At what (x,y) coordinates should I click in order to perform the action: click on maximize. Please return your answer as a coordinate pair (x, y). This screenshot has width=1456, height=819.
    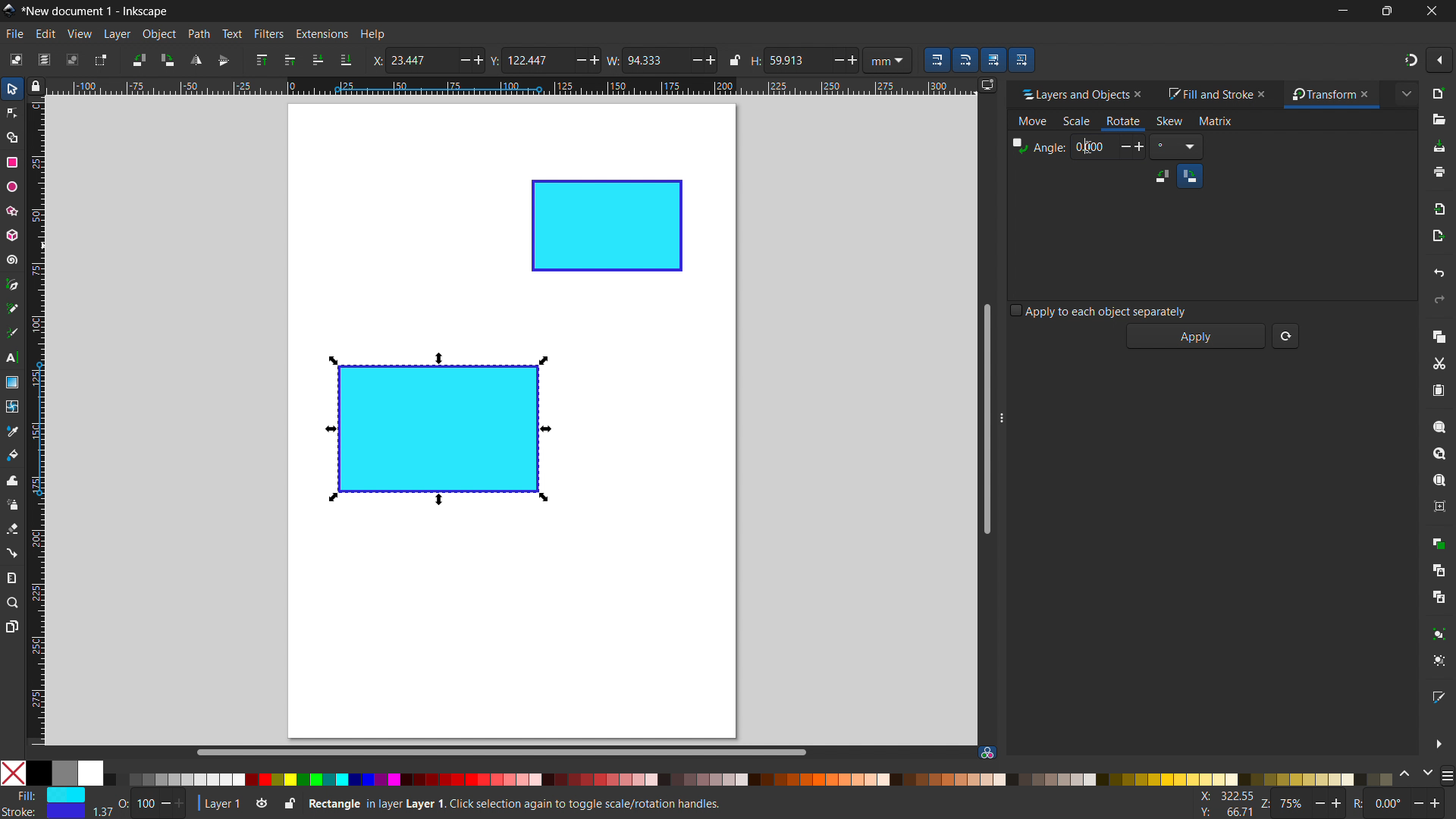
    Looking at the image, I should click on (1384, 11).